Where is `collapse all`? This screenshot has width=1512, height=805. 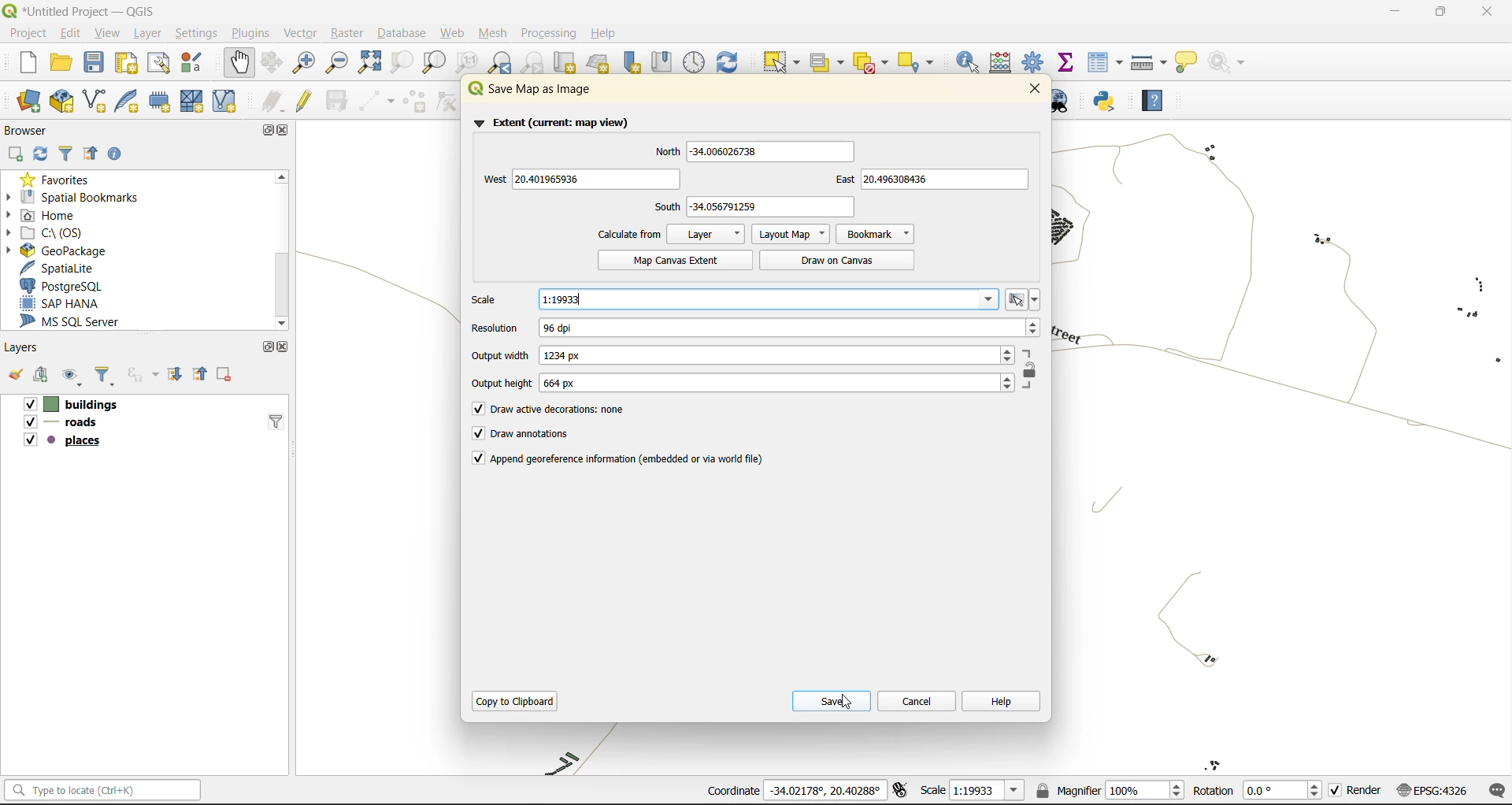
collapse all is located at coordinates (91, 155).